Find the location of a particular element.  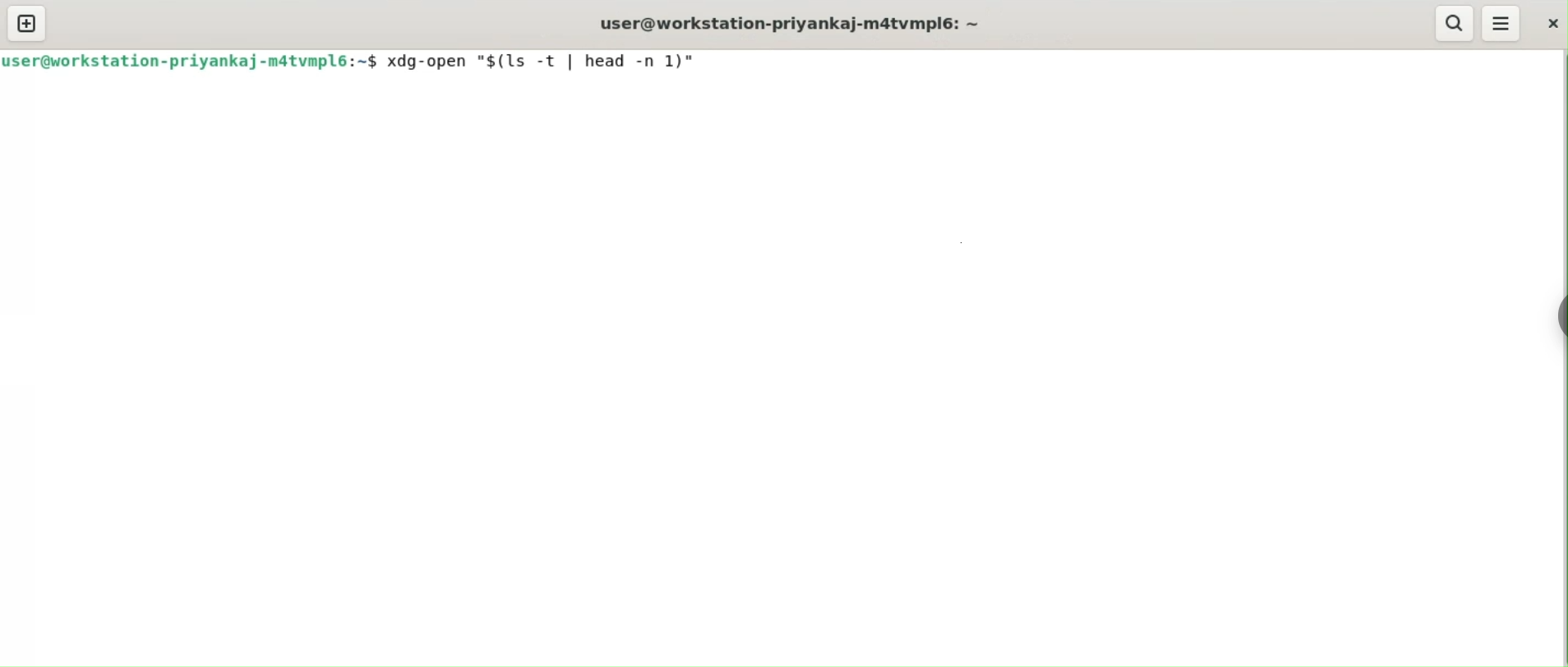

close is located at coordinates (1546, 23).